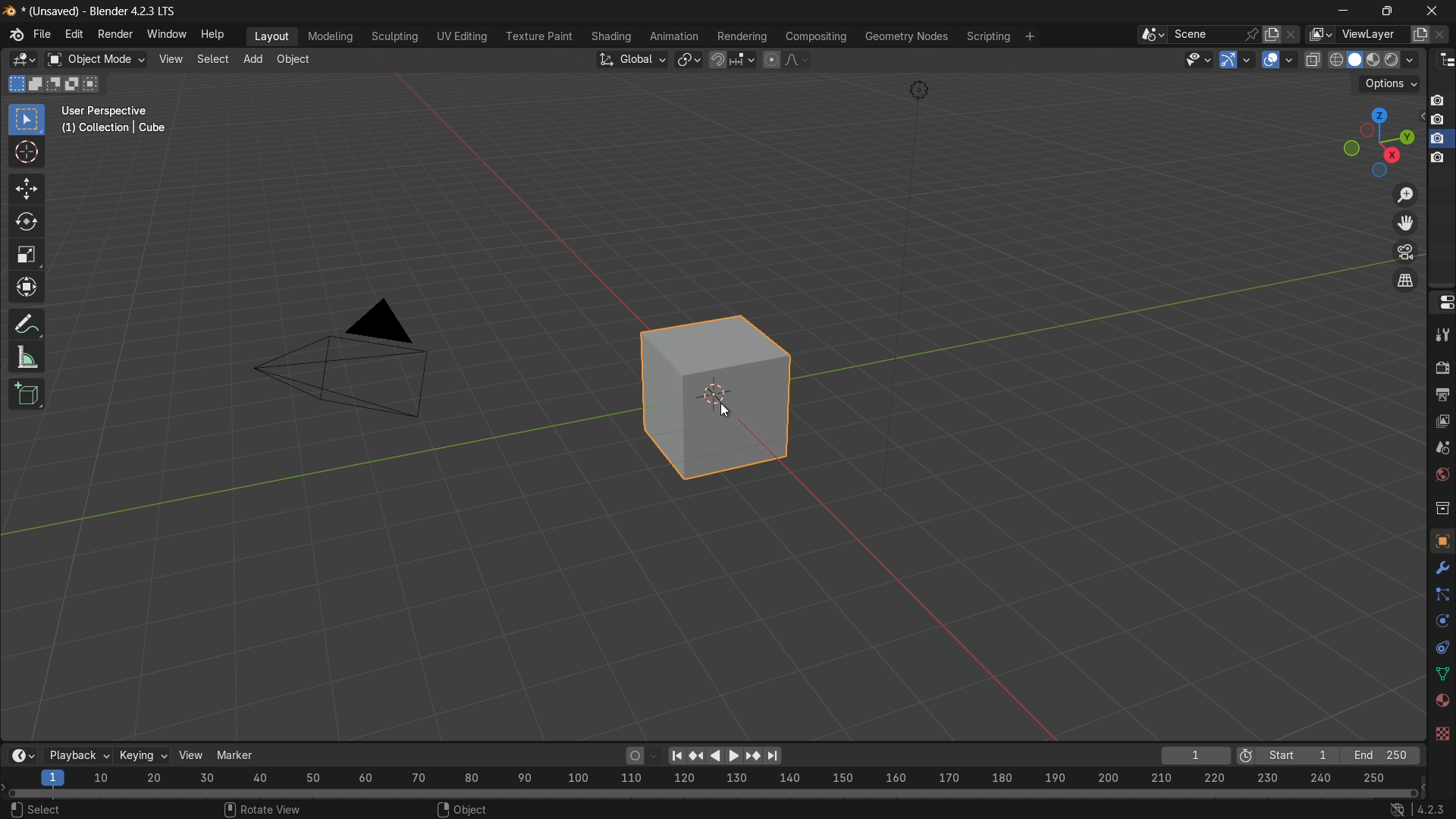 This screenshot has height=819, width=1456. What do you see at coordinates (1421, 33) in the screenshot?
I see `add view layer` at bounding box center [1421, 33].